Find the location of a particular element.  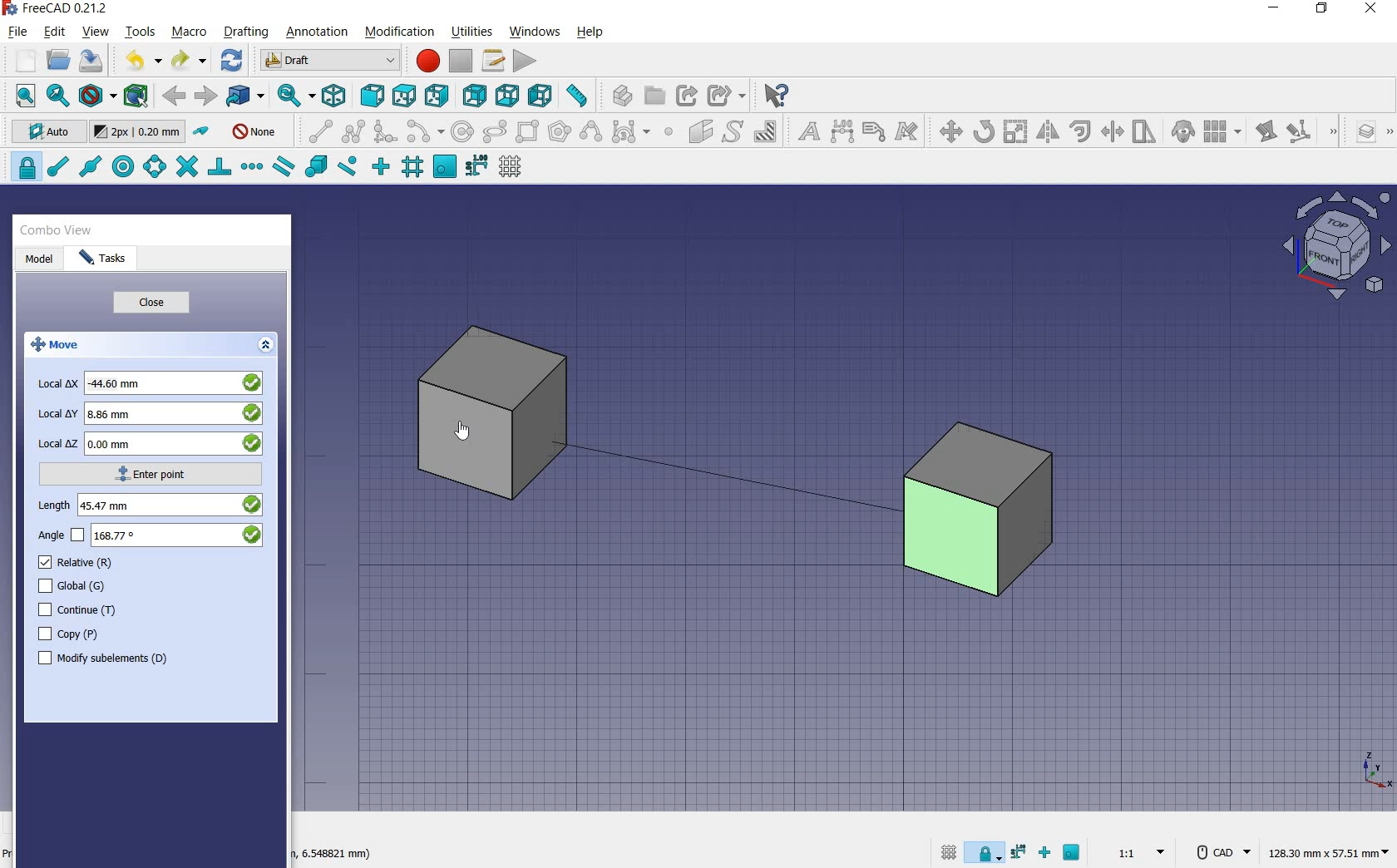

snap midpoint is located at coordinates (91, 167).